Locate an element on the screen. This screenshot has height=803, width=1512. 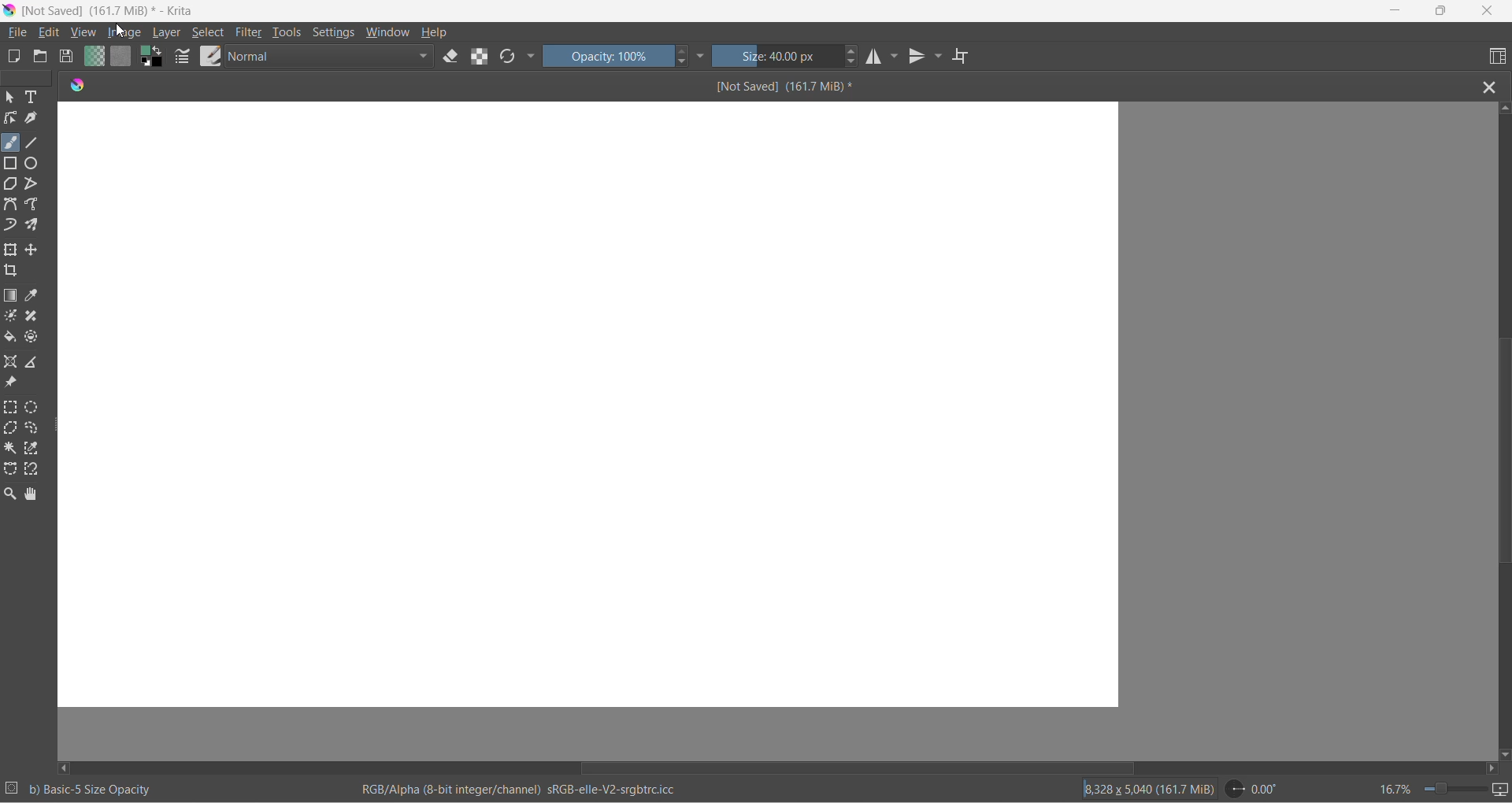
horizontal mirror tool settings dropdown button is located at coordinates (896, 60).